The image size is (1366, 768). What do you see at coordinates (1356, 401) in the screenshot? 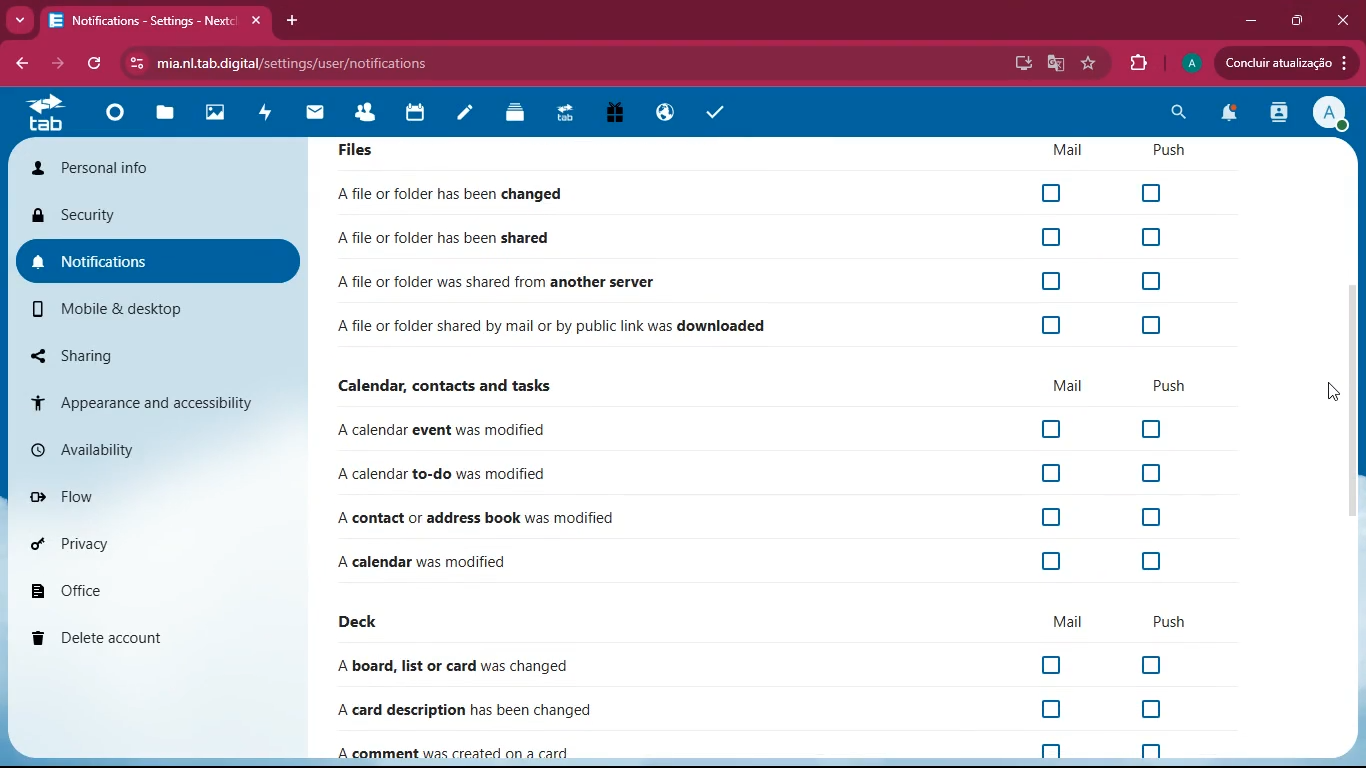
I see `scroll bar` at bounding box center [1356, 401].